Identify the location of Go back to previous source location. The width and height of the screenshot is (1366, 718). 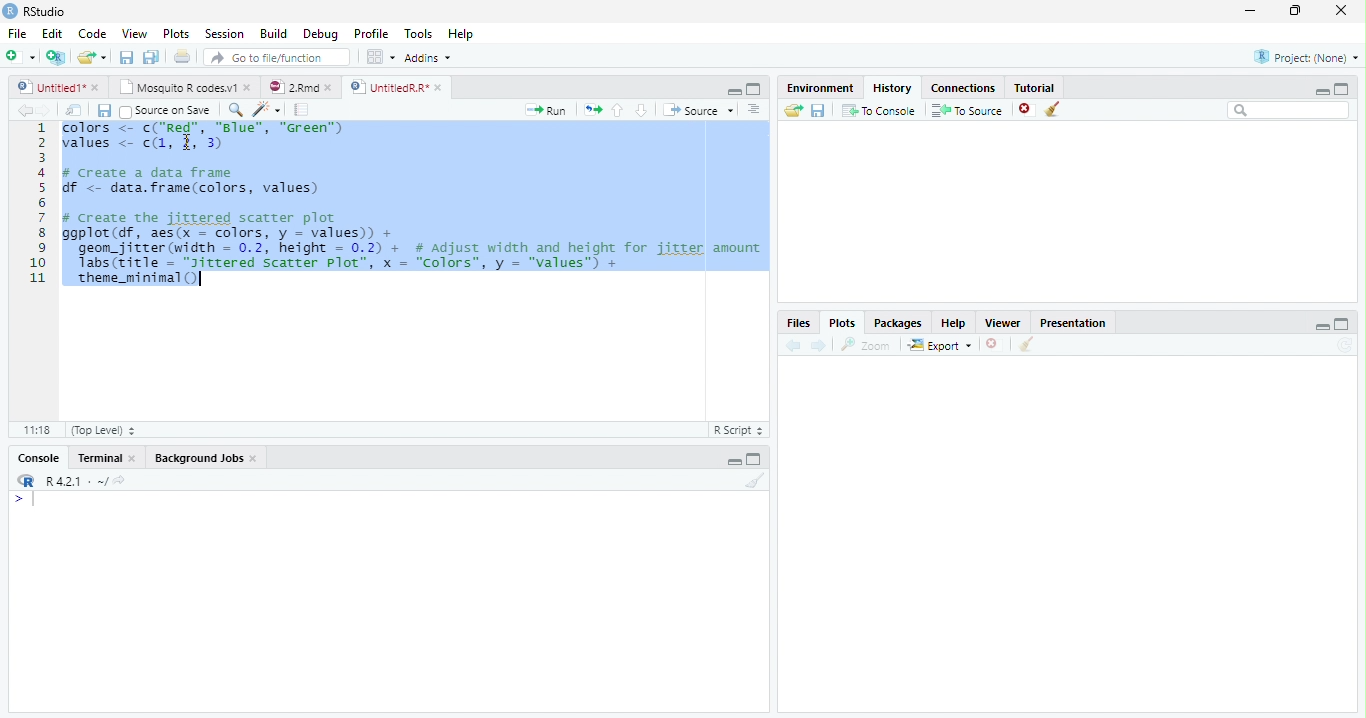
(23, 111).